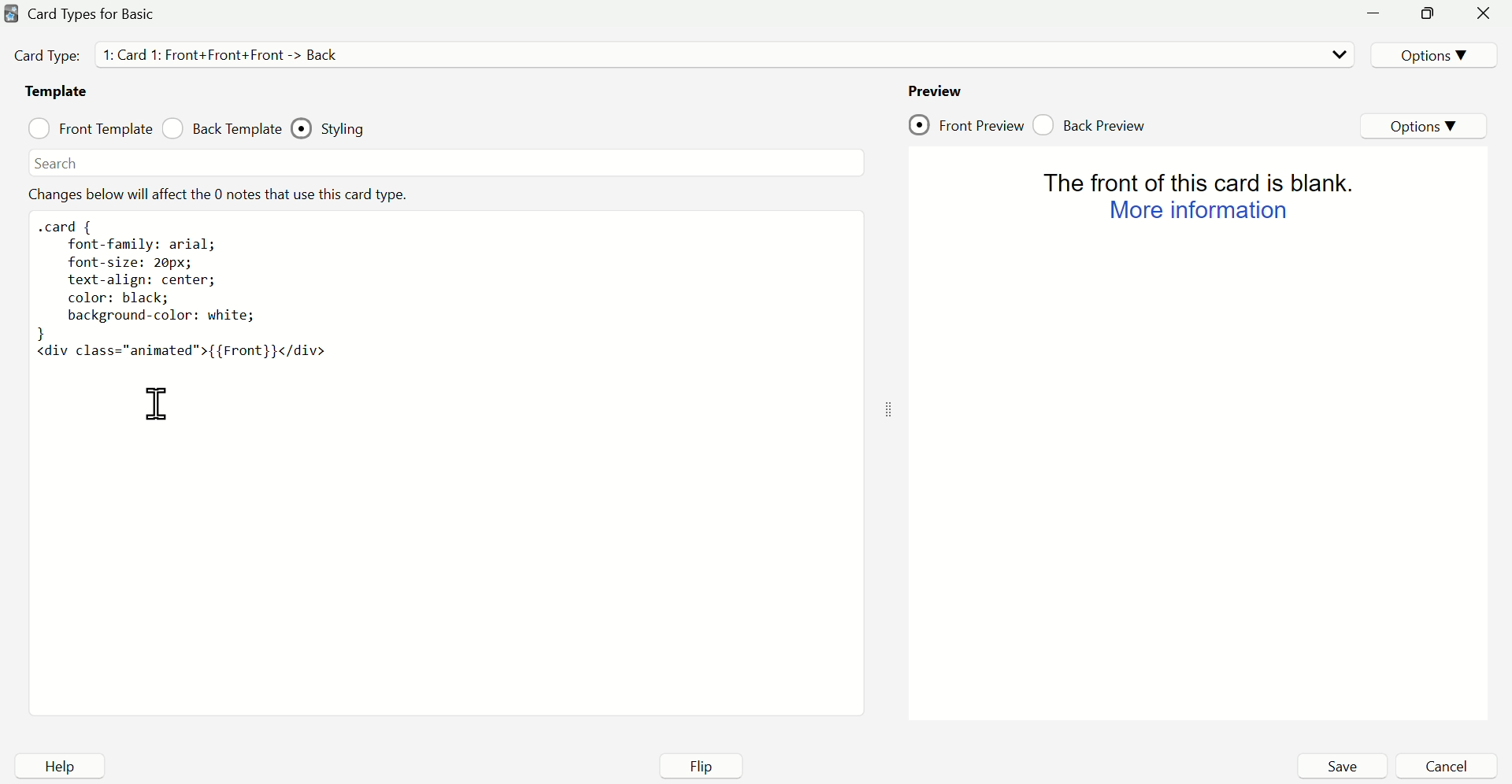 The height and width of the screenshot is (784, 1512). What do you see at coordinates (203, 56) in the screenshot?
I see `Card Type` at bounding box center [203, 56].